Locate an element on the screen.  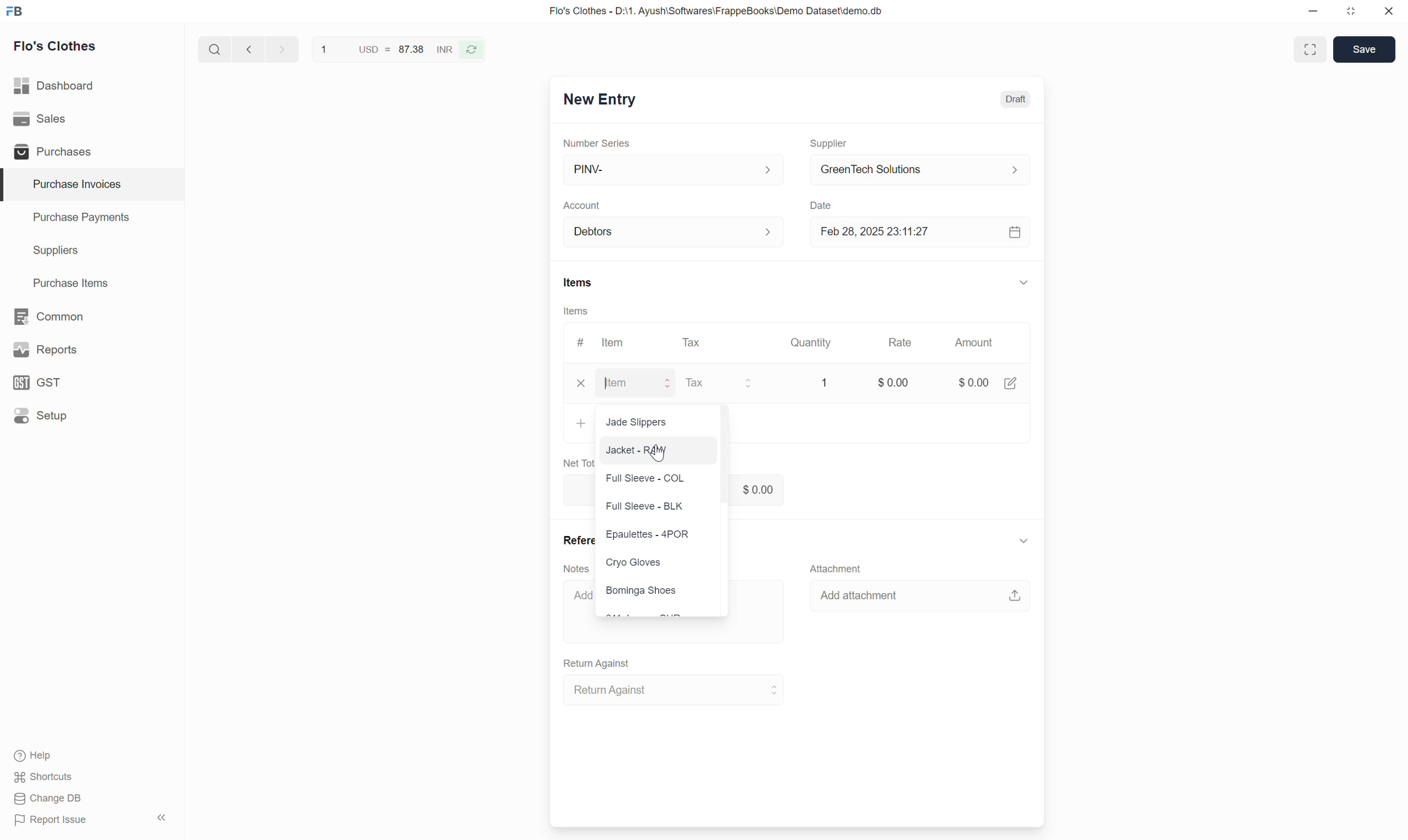
Notes is located at coordinates (577, 569).